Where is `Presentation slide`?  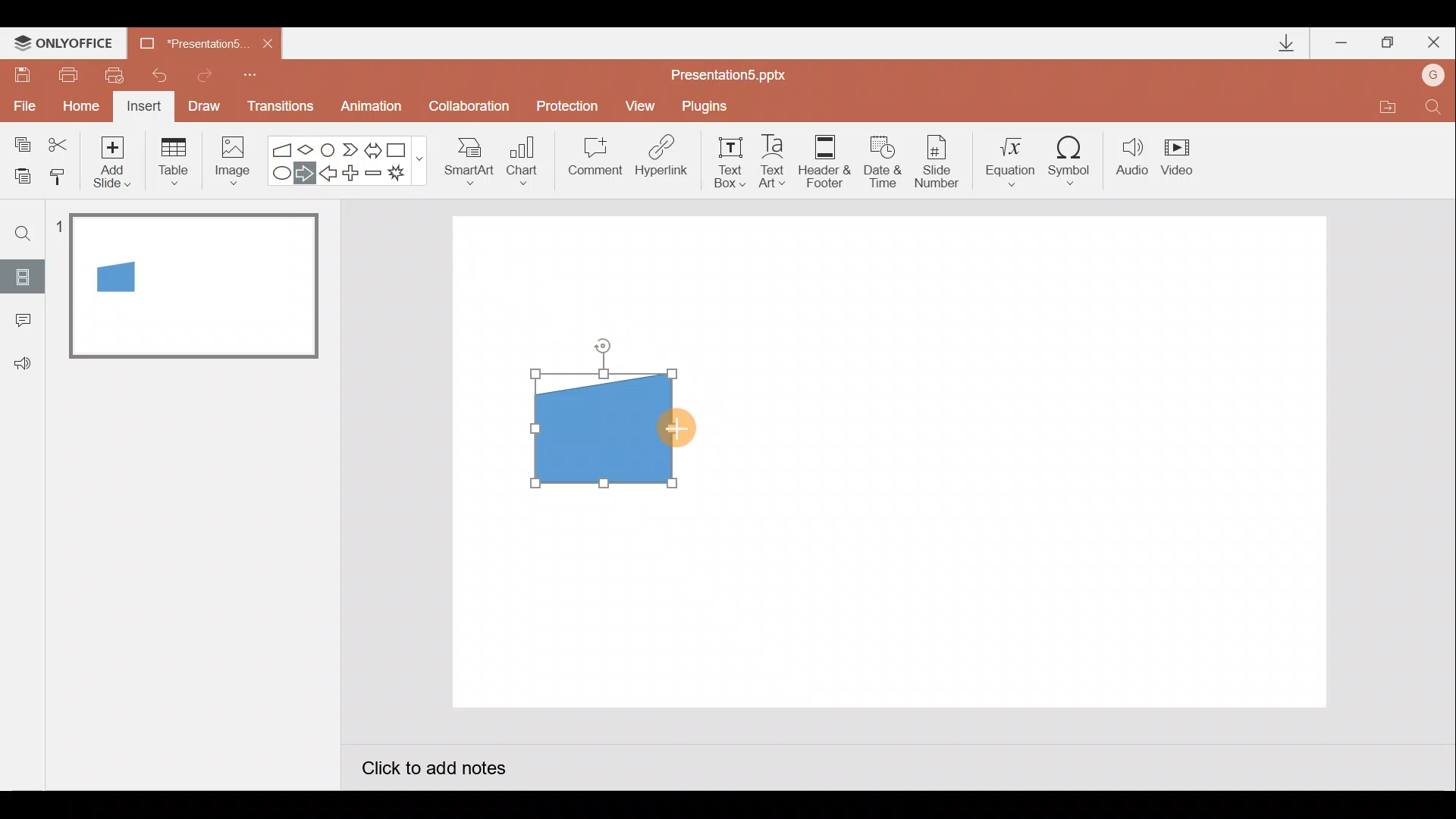
Presentation slide is located at coordinates (1037, 461).